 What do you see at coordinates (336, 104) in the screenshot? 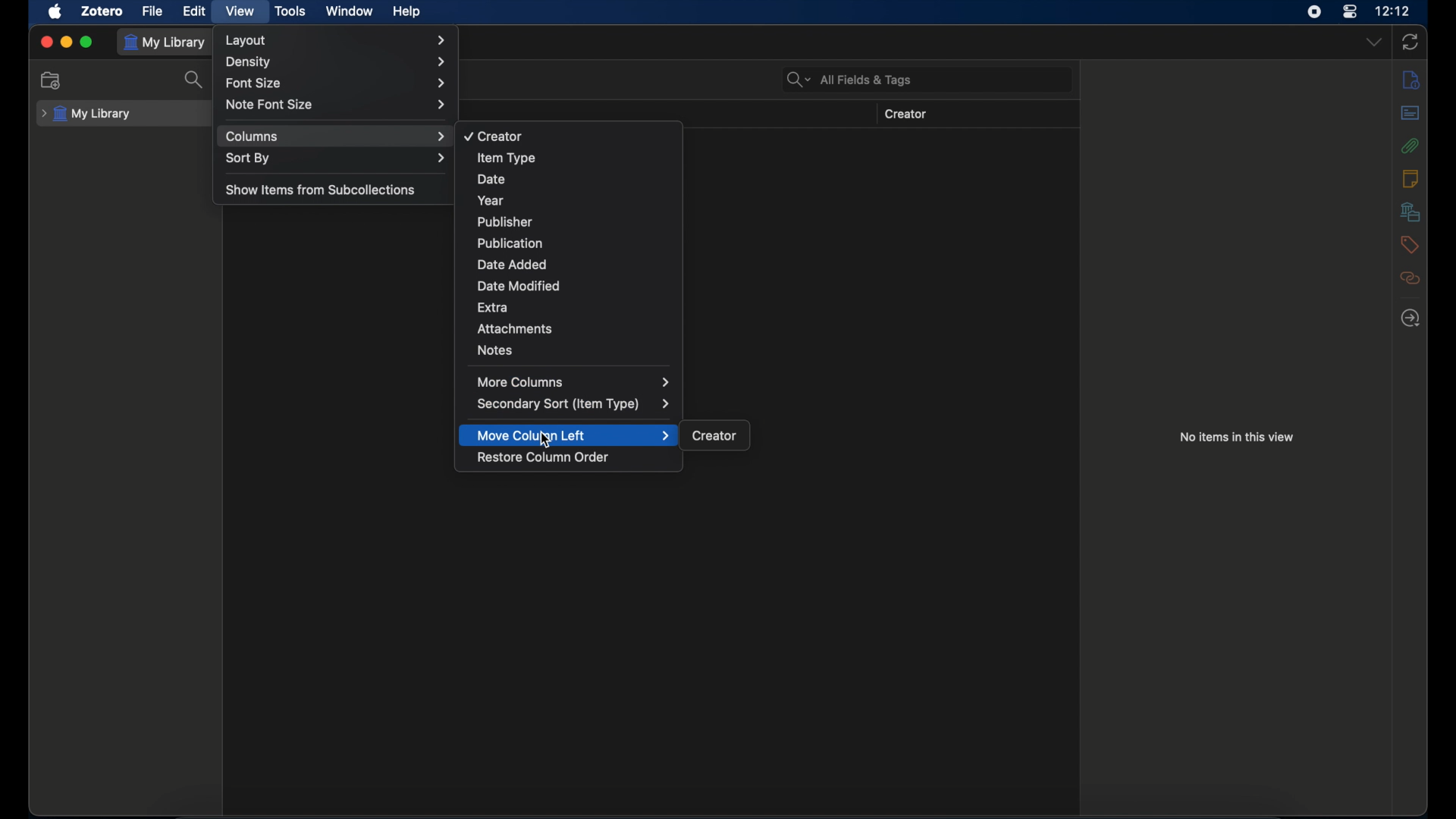
I see `note font size` at bounding box center [336, 104].